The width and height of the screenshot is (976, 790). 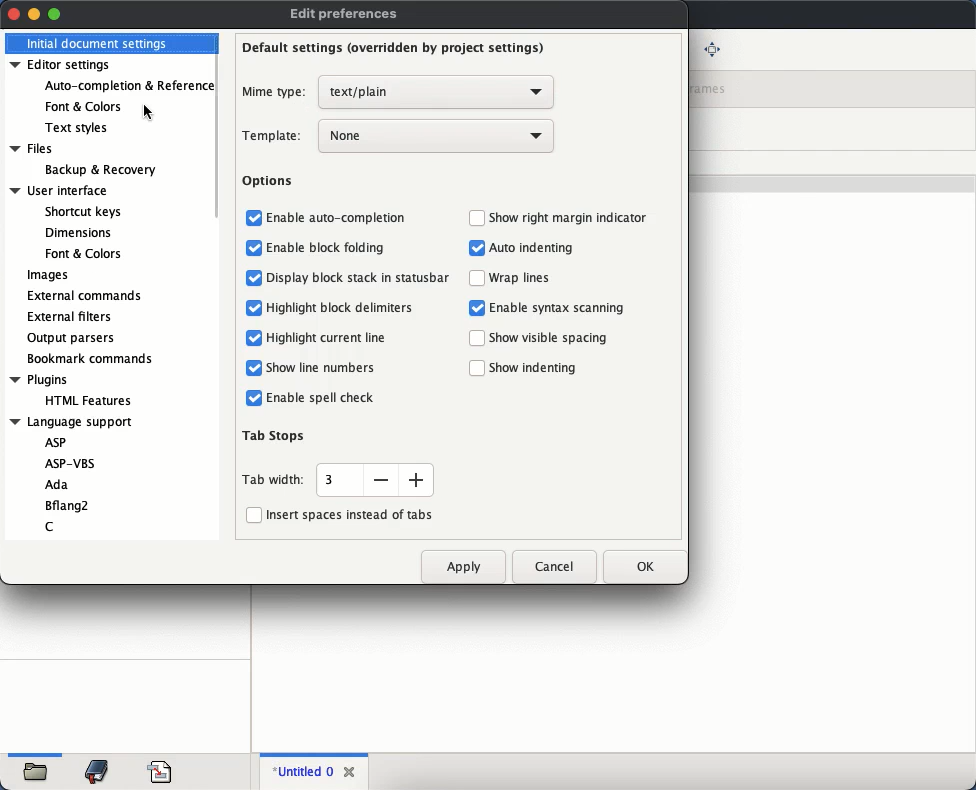 I want to click on edit preferences, so click(x=343, y=13).